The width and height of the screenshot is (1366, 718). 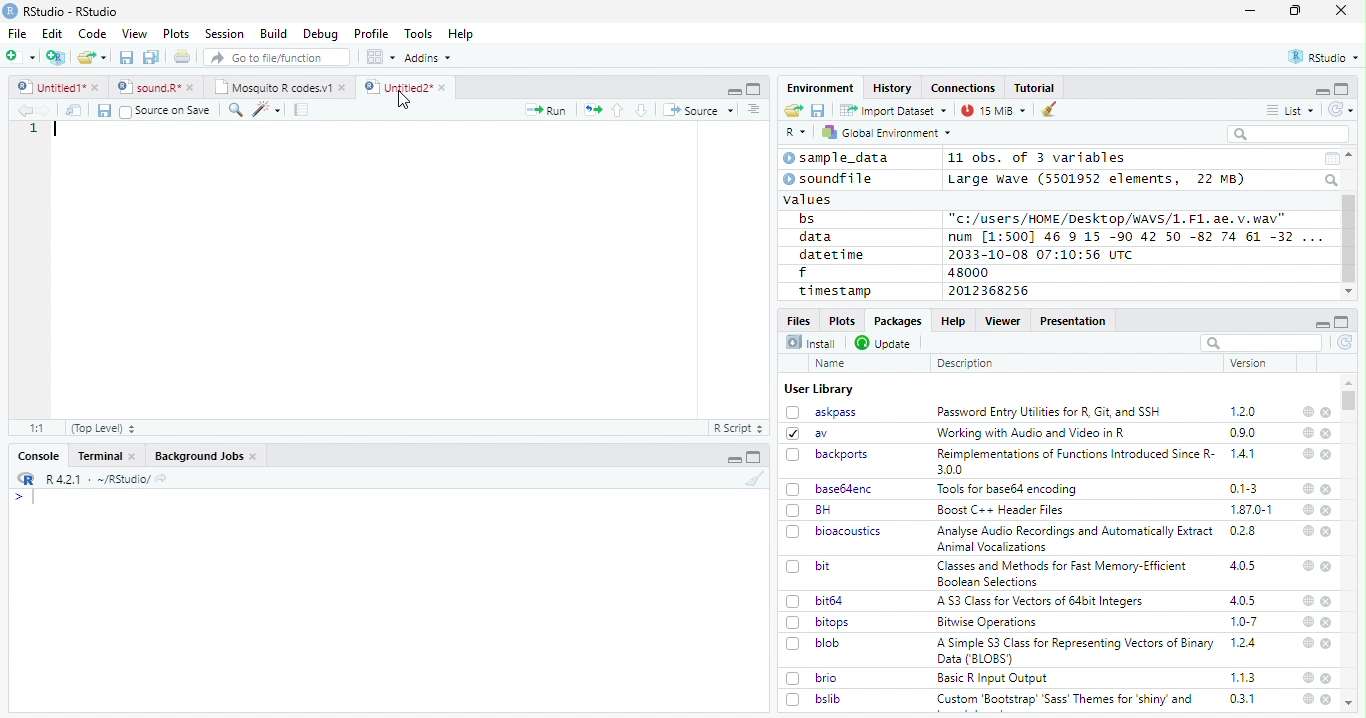 I want to click on Search, so click(x=1333, y=180).